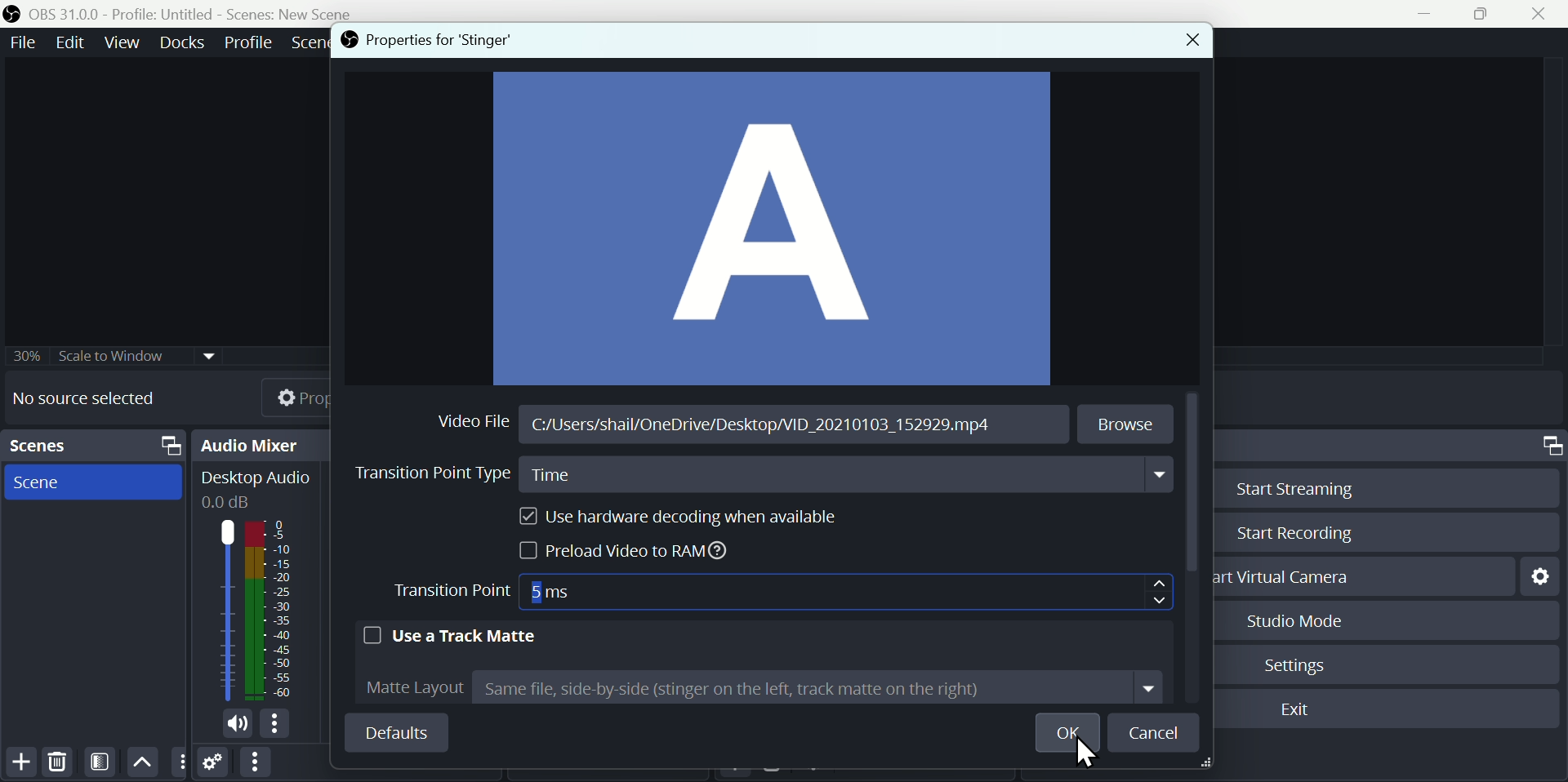 This screenshot has width=1568, height=782. I want to click on Up, so click(143, 761).